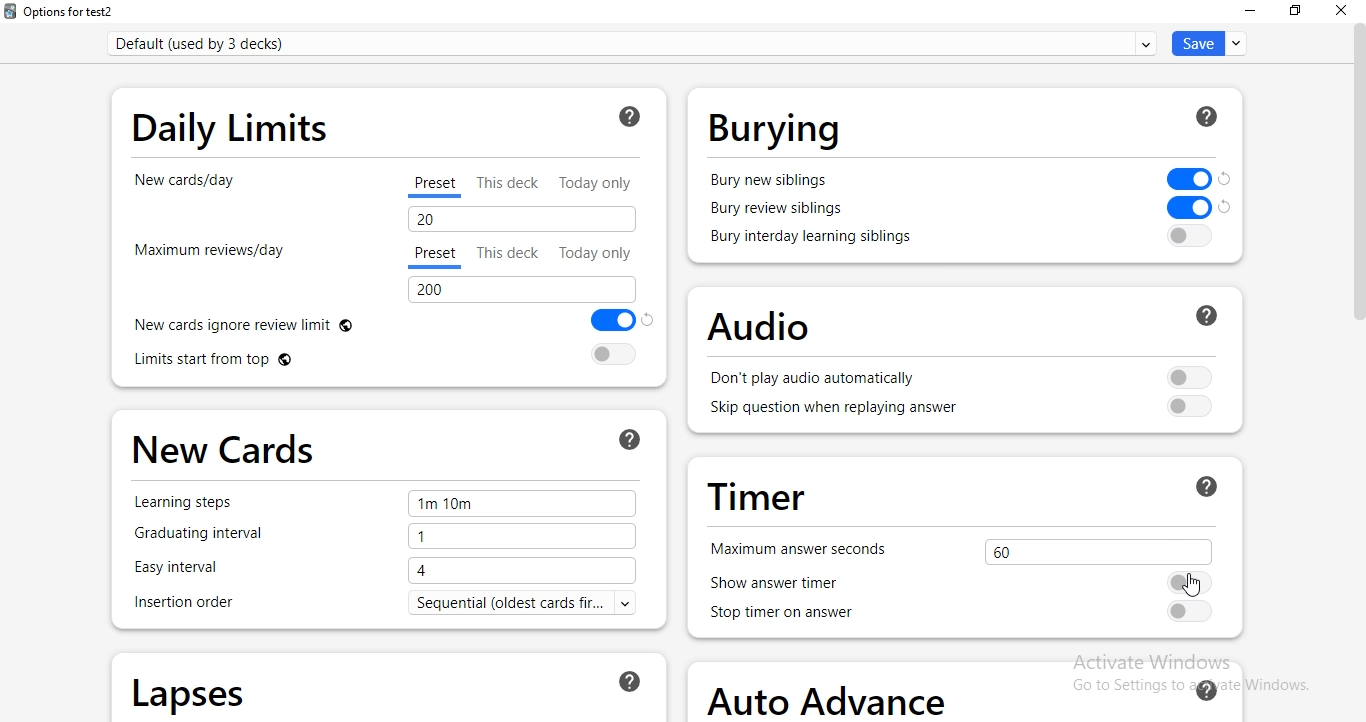 This screenshot has width=1366, height=722. Describe the element at coordinates (970, 328) in the screenshot. I see `audio` at that location.